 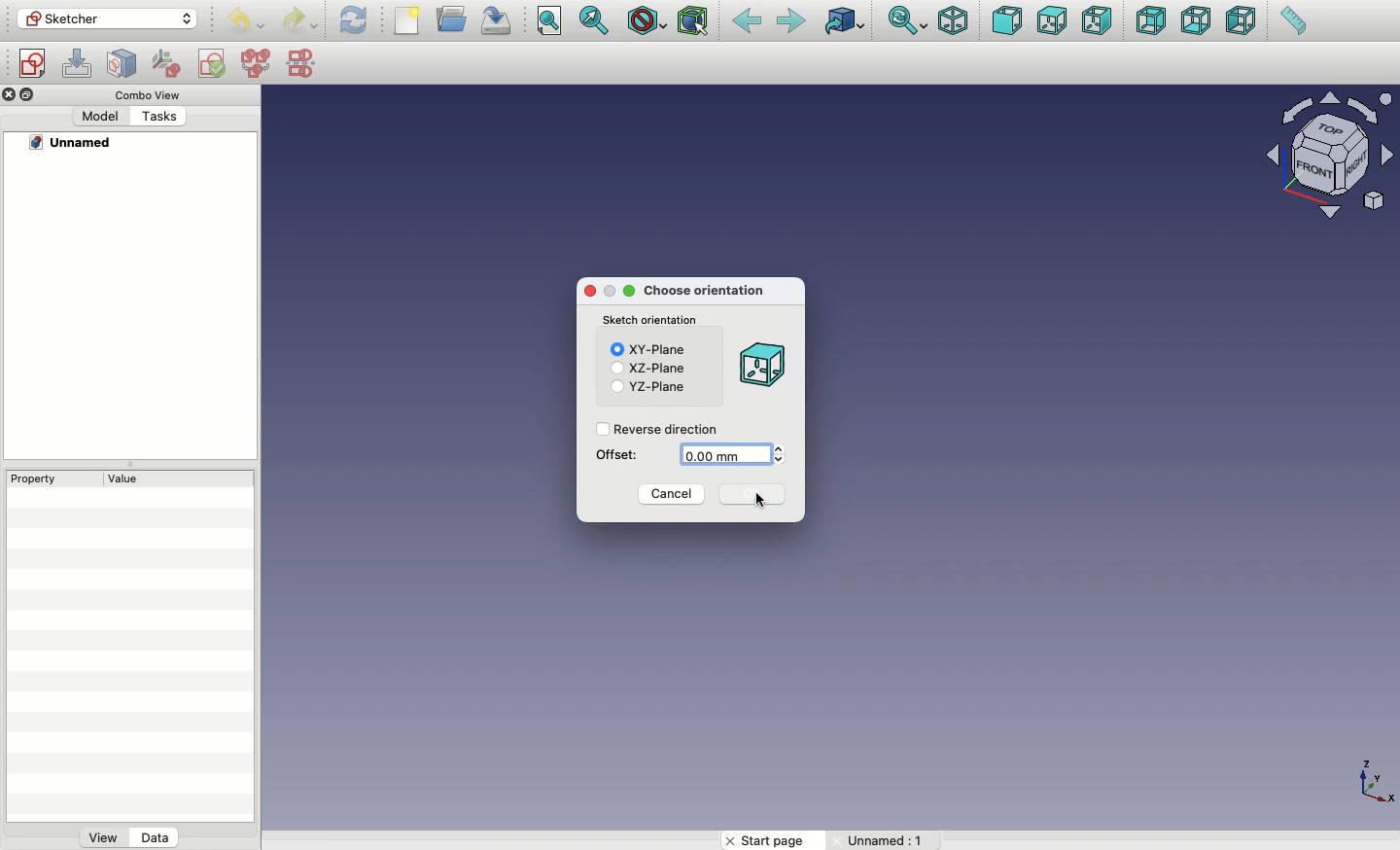 What do you see at coordinates (746, 22) in the screenshot?
I see `Back` at bounding box center [746, 22].